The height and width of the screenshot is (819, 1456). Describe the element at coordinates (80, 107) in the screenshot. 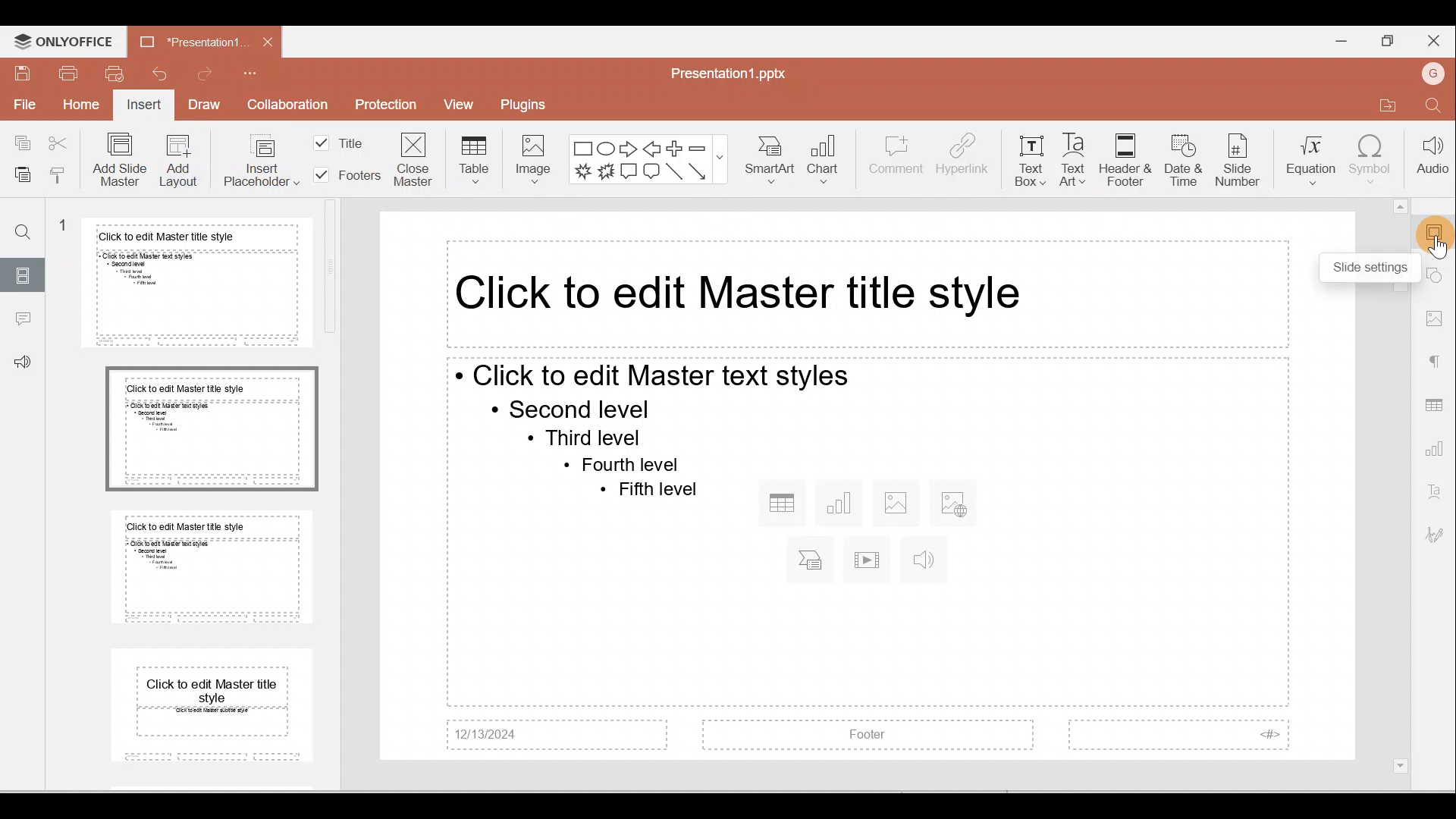

I see `Home` at that location.